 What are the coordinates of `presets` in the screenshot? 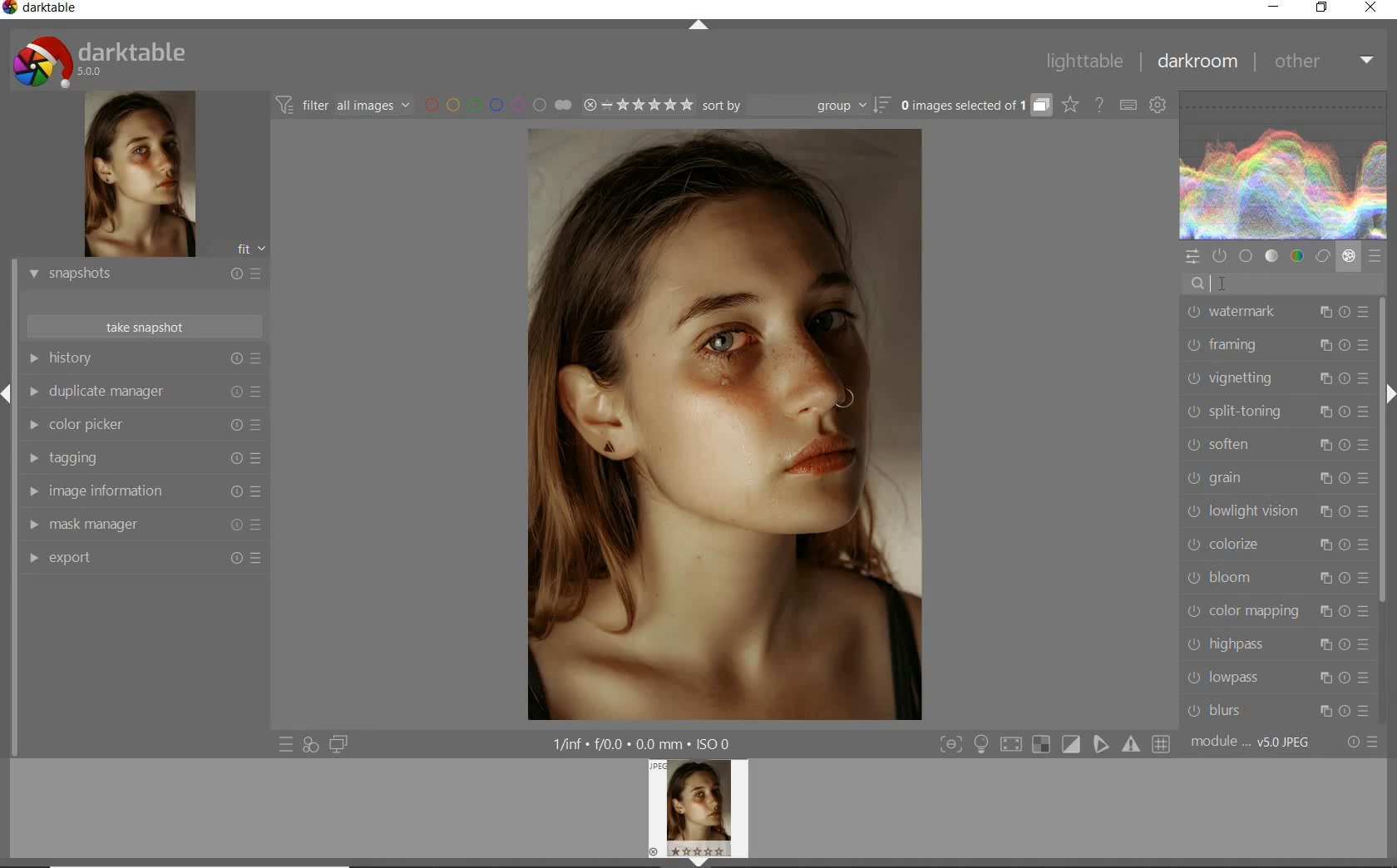 It's located at (1375, 256).